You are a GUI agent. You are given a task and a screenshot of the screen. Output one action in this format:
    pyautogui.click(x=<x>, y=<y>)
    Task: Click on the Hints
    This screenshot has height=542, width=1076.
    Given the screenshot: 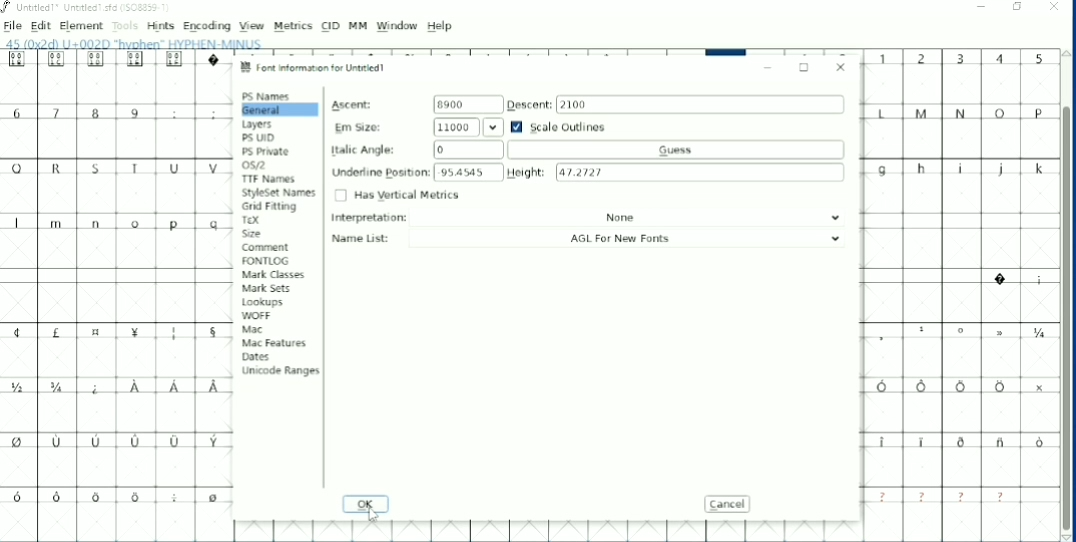 What is the action you would take?
    pyautogui.click(x=160, y=26)
    